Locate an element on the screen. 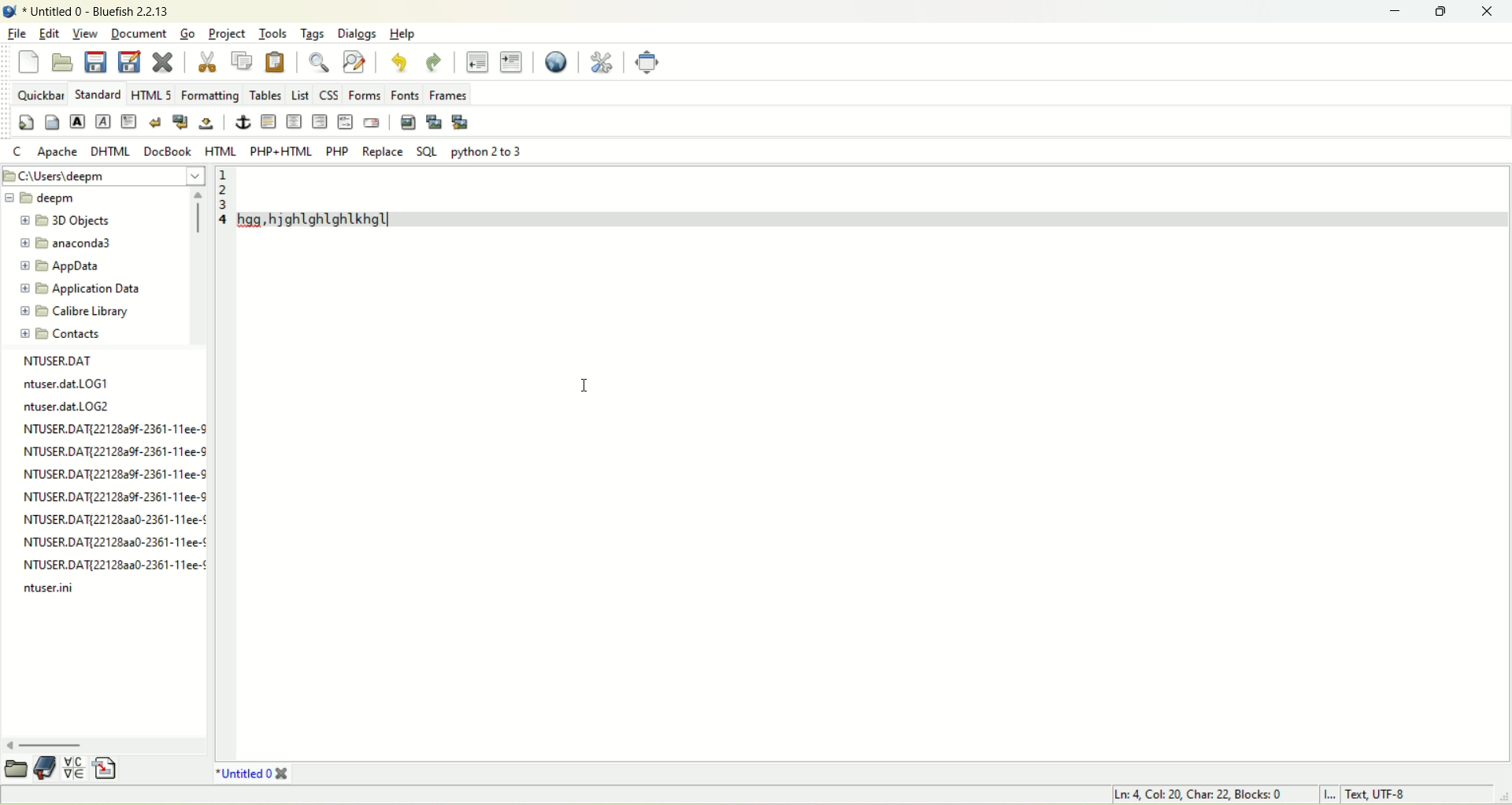 Image resolution: width=1512 pixels, height=805 pixels. fullscreen is located at coordinates (647, 61).